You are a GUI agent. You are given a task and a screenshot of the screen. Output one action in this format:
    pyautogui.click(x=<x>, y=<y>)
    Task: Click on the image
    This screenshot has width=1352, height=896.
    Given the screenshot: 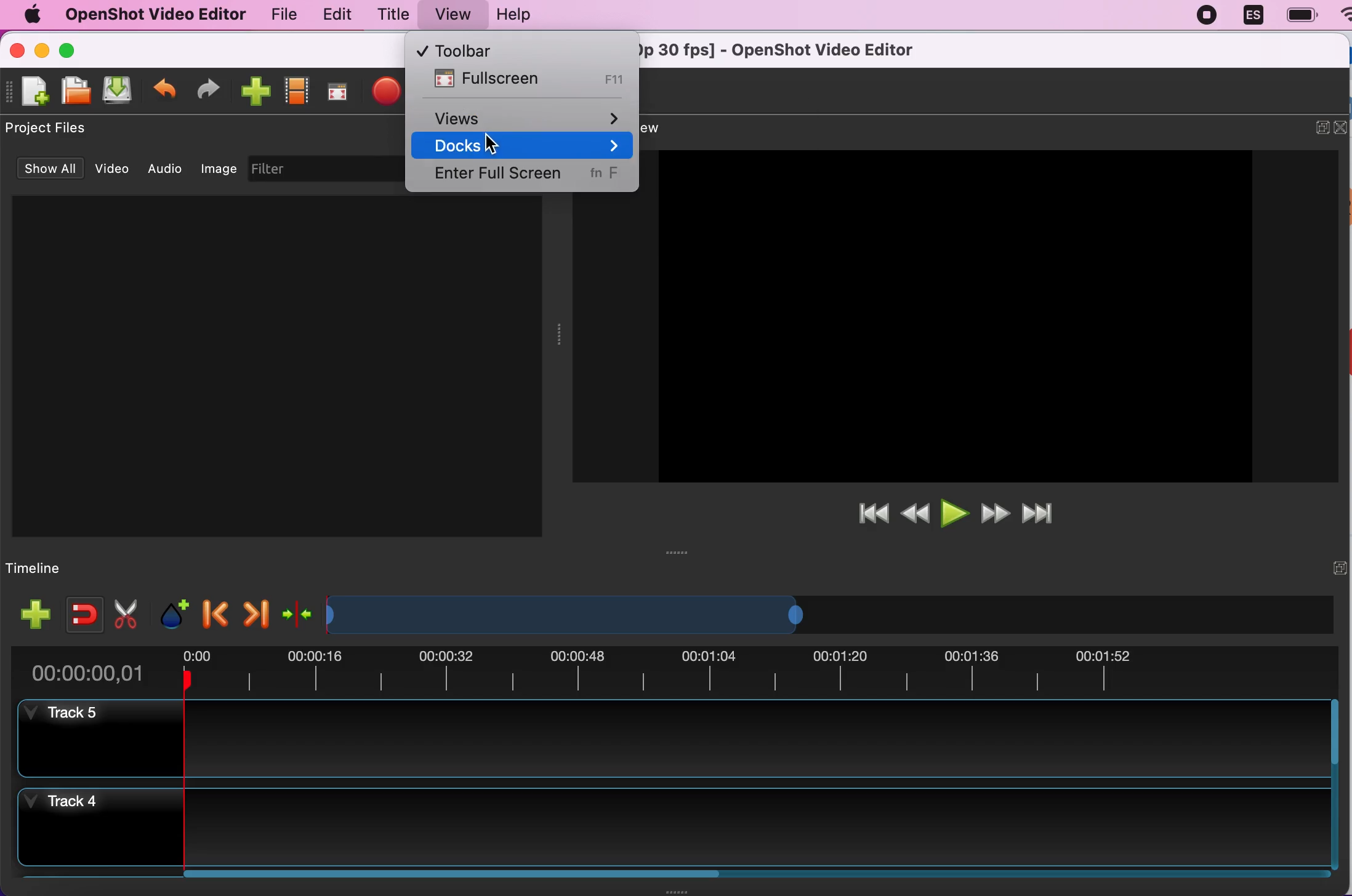 What is the action you would take?
    pyautogui.click(x=220, y=167)
    